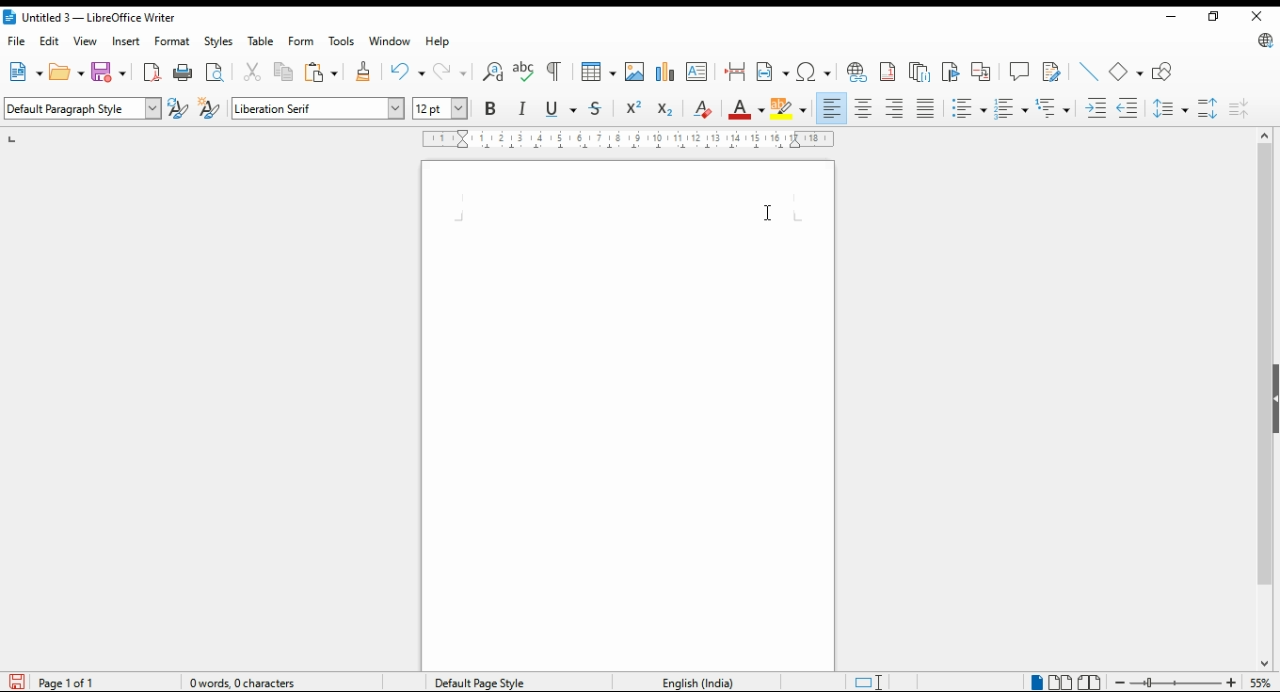 The image size is (1280, 692). What do you see at coordinates (702, 108) in the screenshot?
I see `remove direct formatting` at bounding box center [702, 108].